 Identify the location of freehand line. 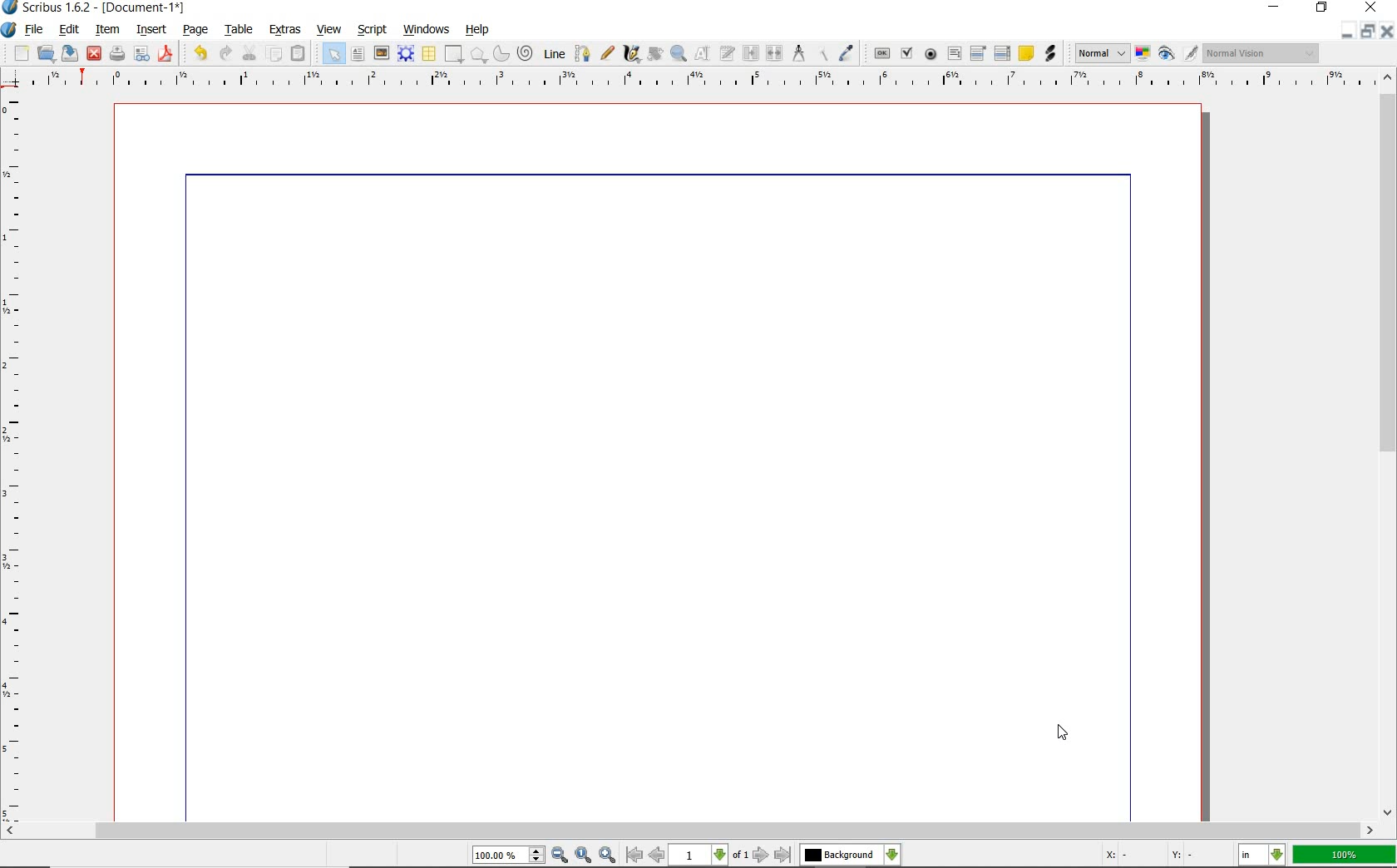
(606, 52).